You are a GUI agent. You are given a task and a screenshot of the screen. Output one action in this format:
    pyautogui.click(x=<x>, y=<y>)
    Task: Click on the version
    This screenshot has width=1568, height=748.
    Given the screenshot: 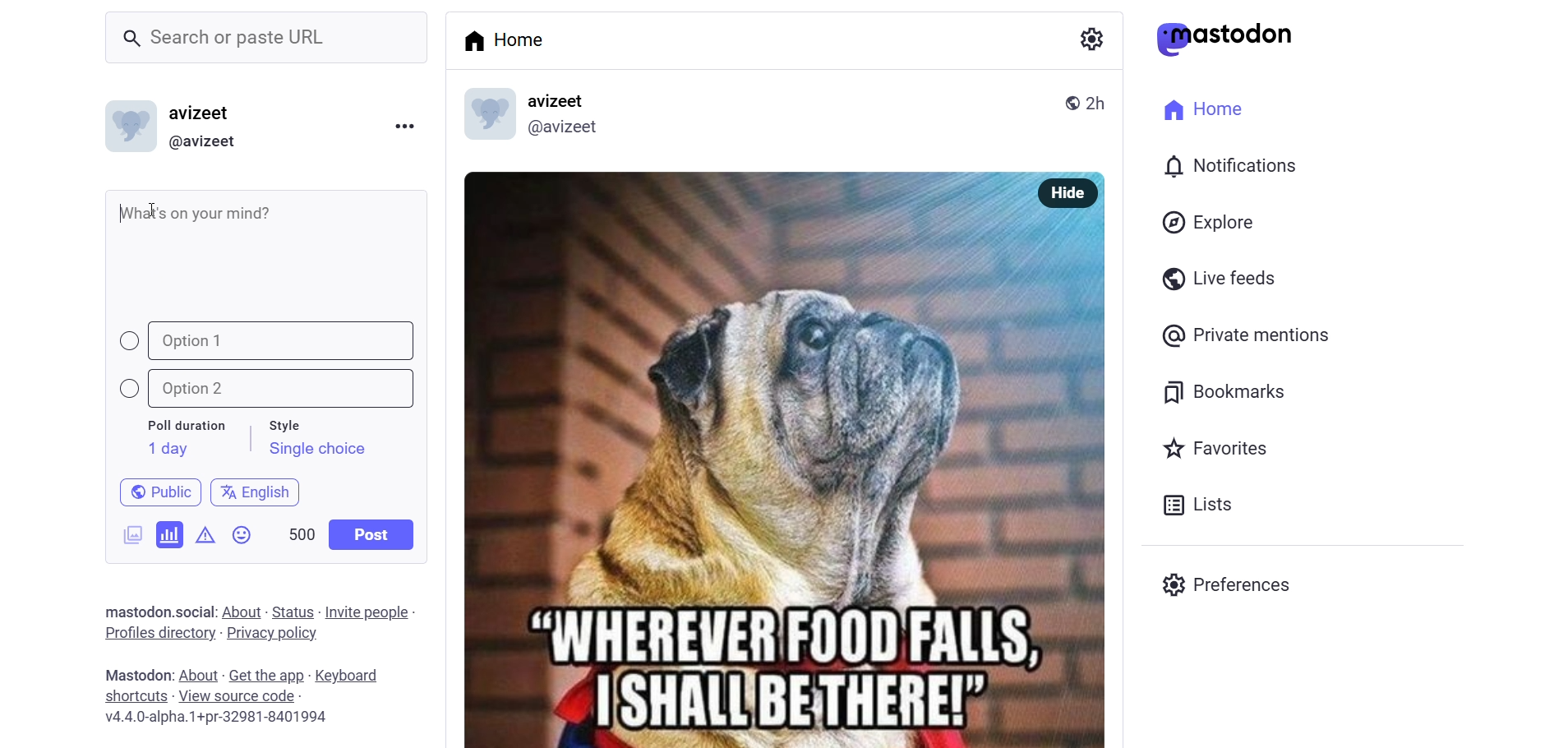 What is the action you would take?
    pyautogui.click(x=218, y=719)
    